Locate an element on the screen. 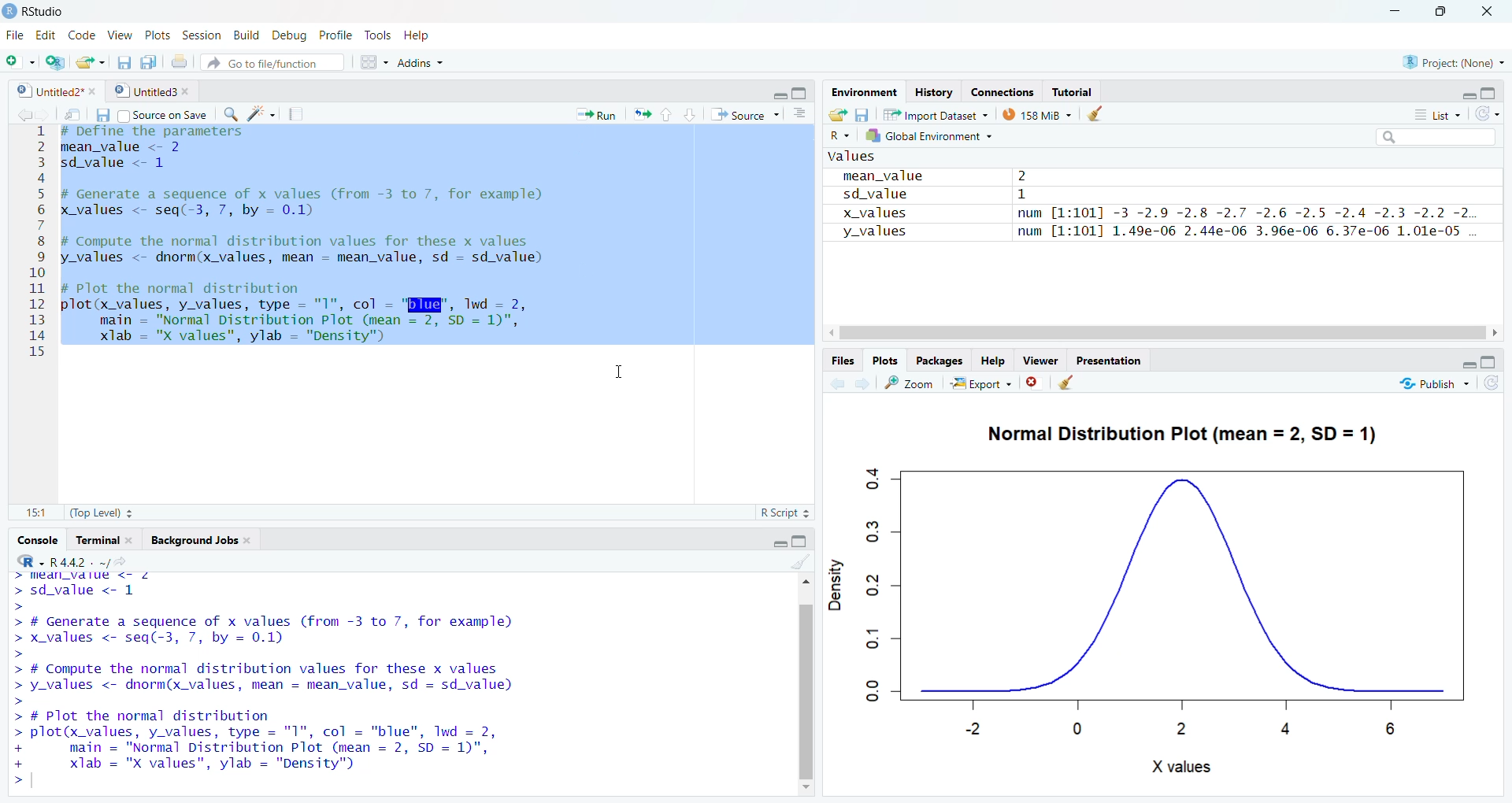 Image resolution: width=1512 pixels, height=803 pixels. save all documents is located at coordinates (146, 61).